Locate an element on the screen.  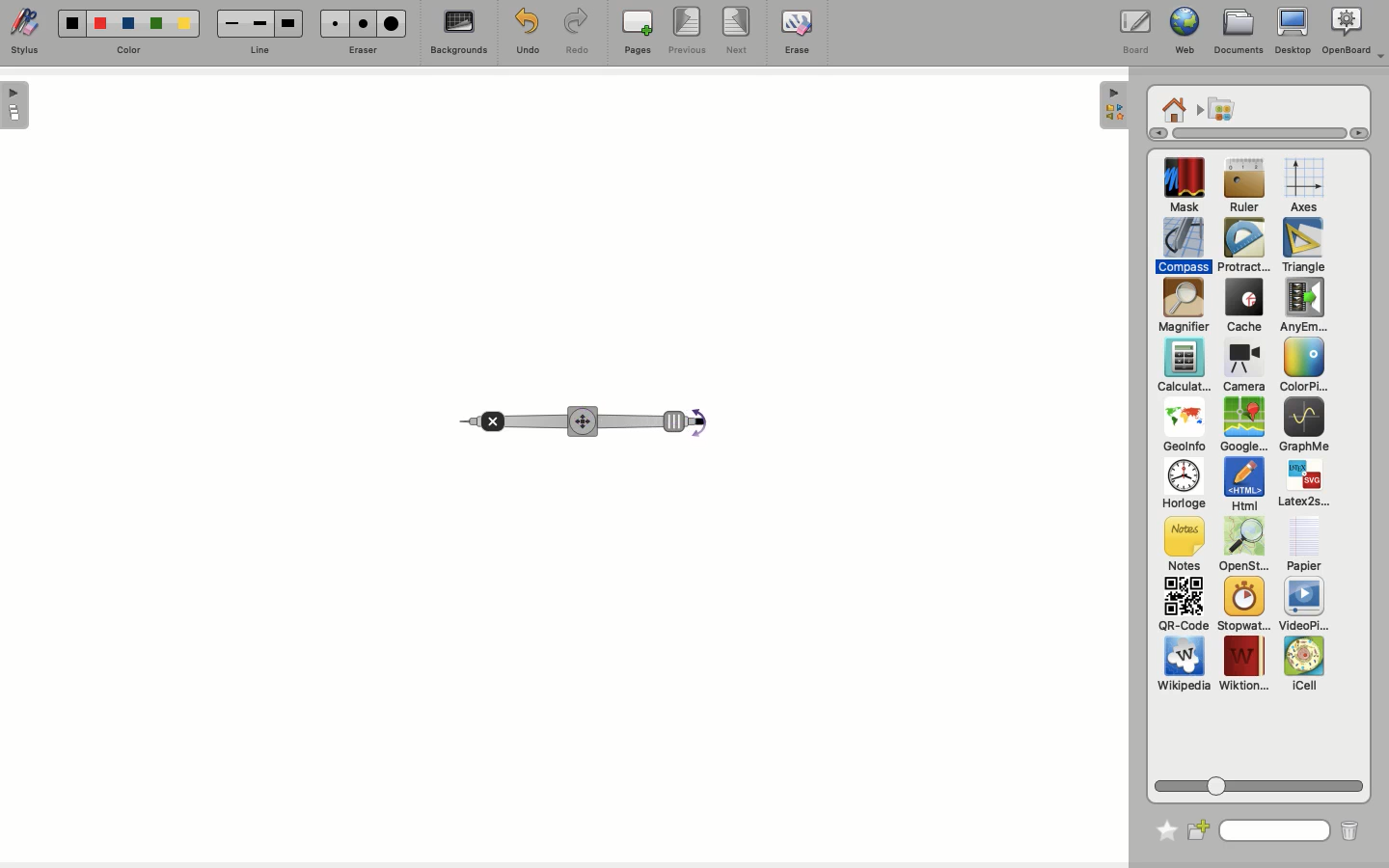
Backgrounds is located at coordinates (456, 35).